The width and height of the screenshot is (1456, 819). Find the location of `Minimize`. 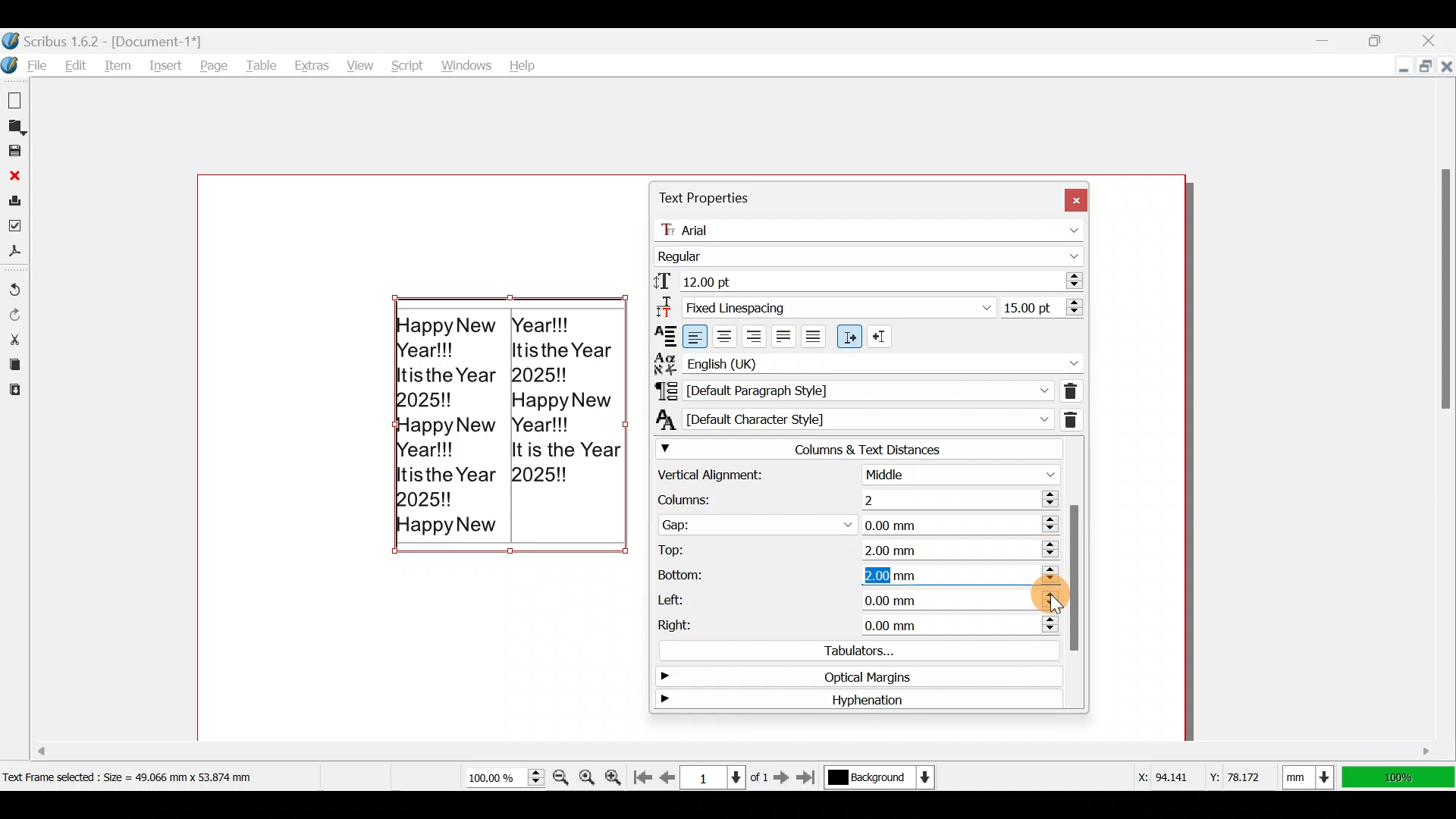

Minimize is located at coordinates (1328, 40).